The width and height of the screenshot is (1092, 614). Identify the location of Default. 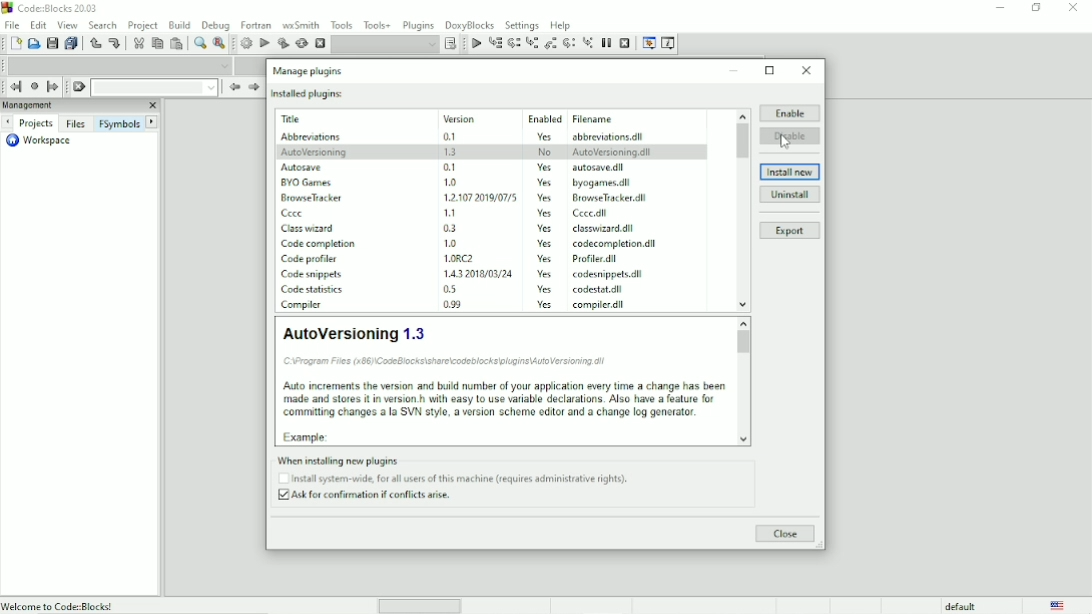
(950, 606).